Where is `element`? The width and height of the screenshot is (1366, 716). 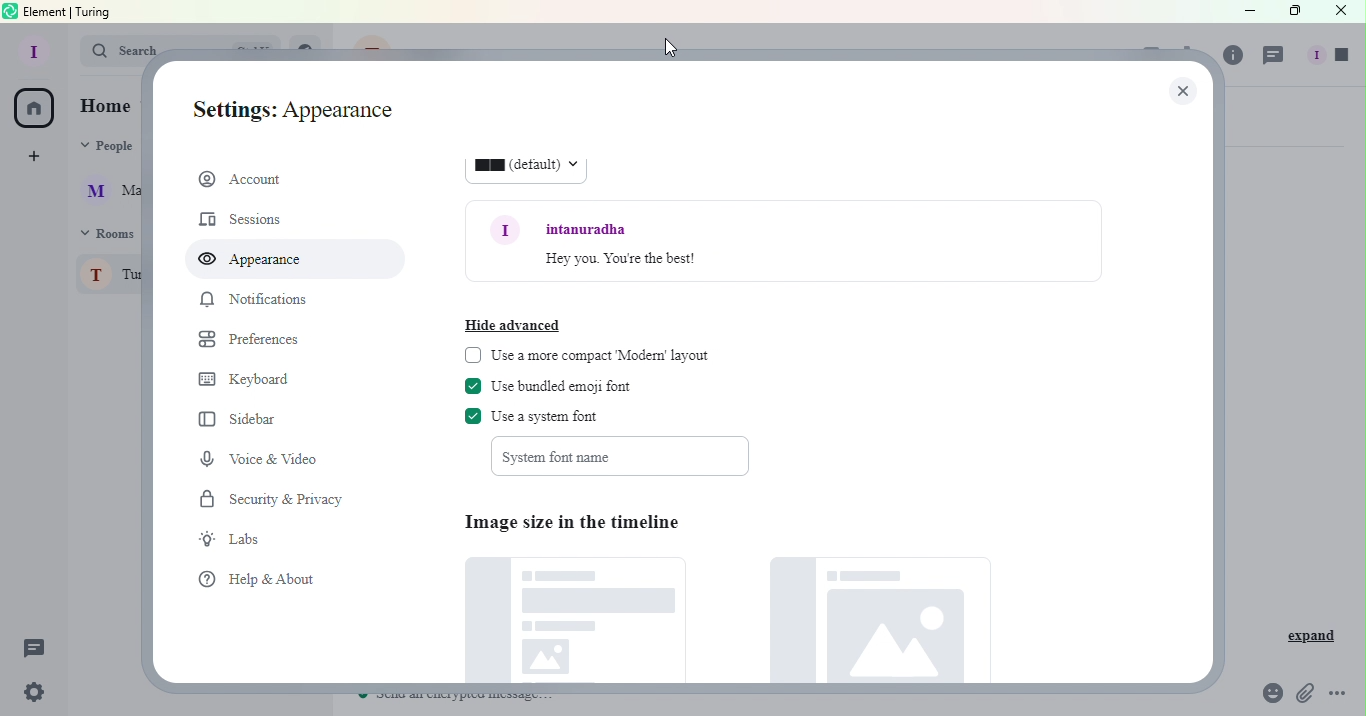 element is located at coordinates (46, 11).